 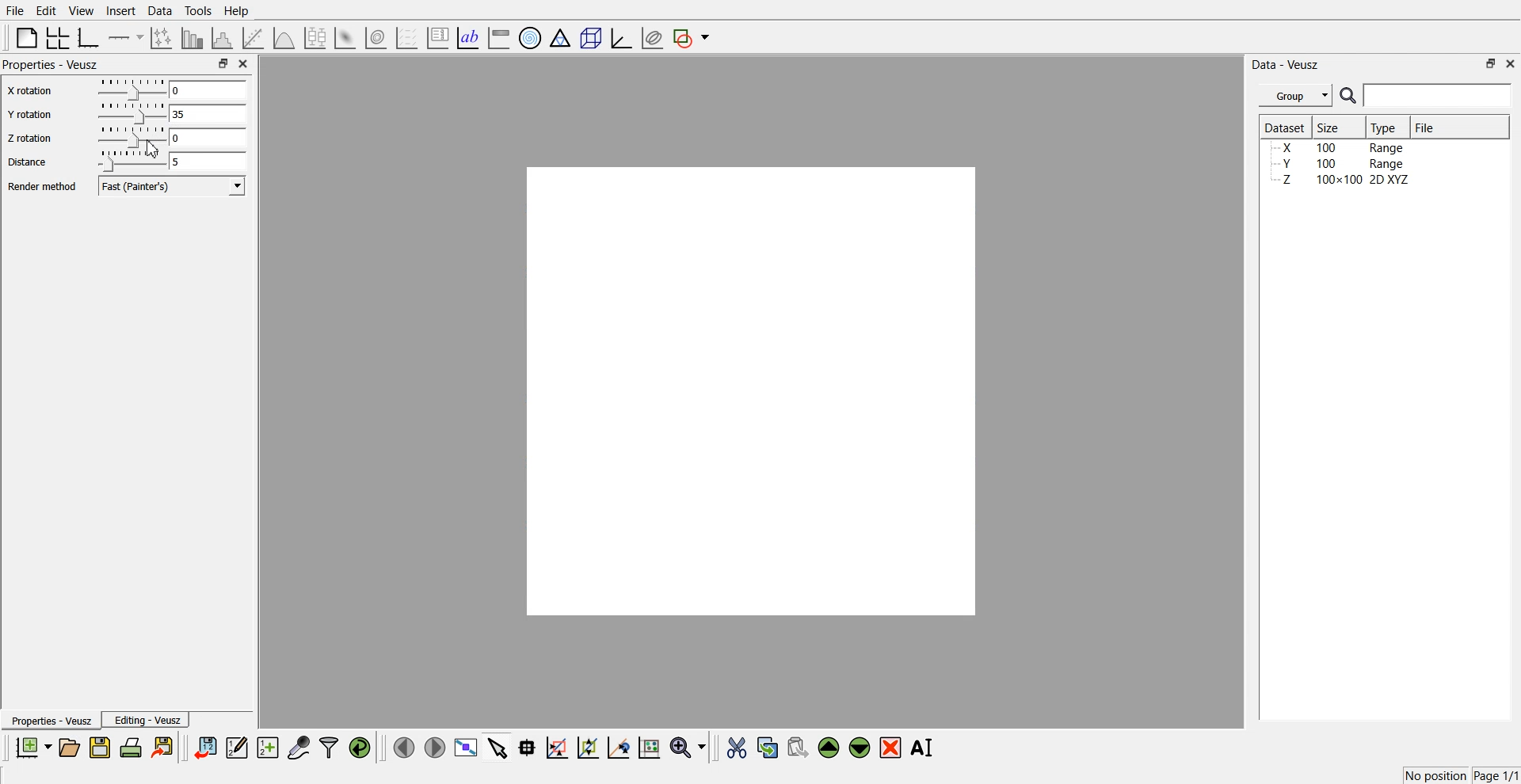 What do you see at coordinates (284, 38) in the screenshot?
I see `3D Function` at bounding box center [284, 38].